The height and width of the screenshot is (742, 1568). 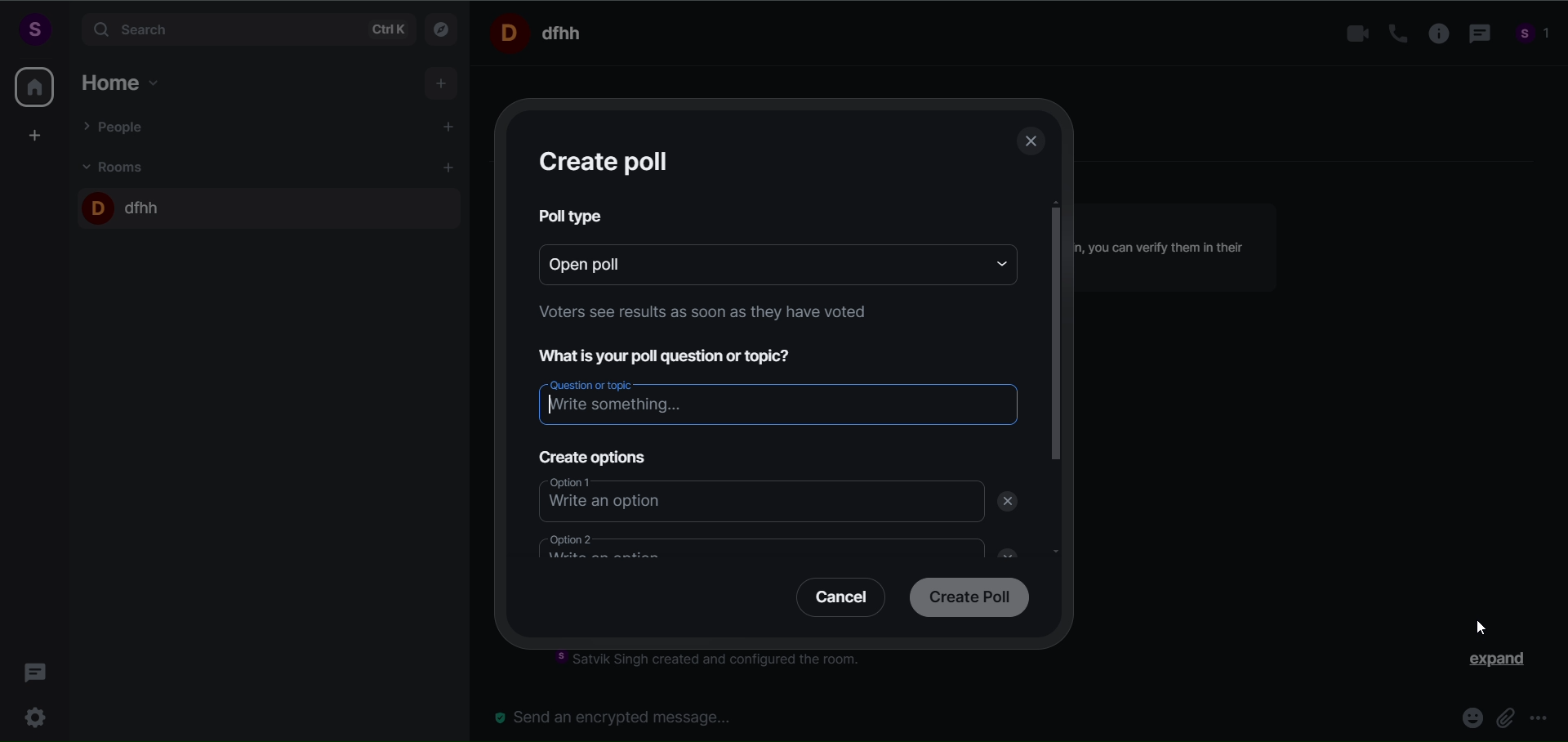 I want to click on option 2, so click(x=751, y=545).